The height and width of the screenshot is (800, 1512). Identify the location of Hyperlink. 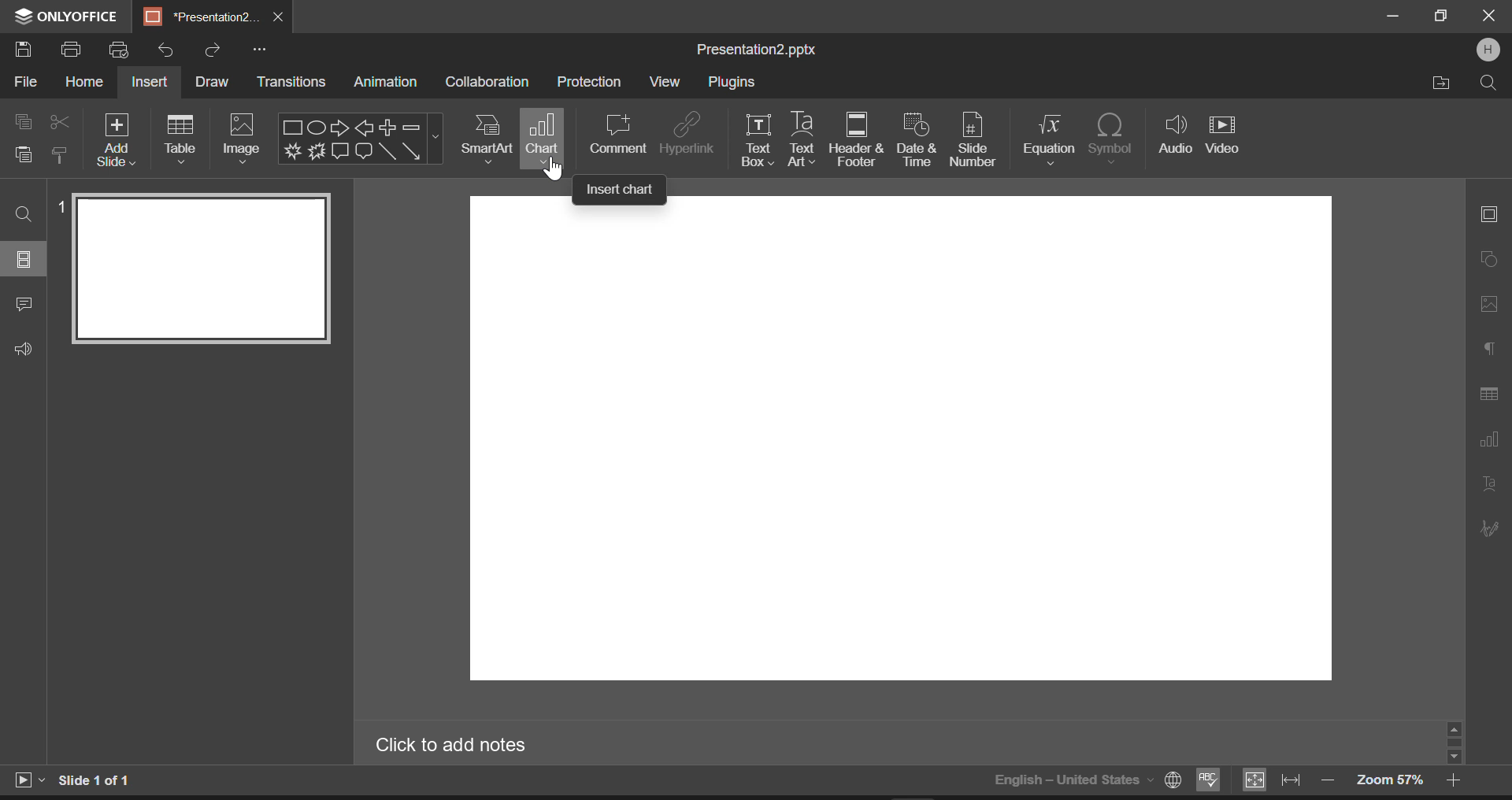
(687, 135).